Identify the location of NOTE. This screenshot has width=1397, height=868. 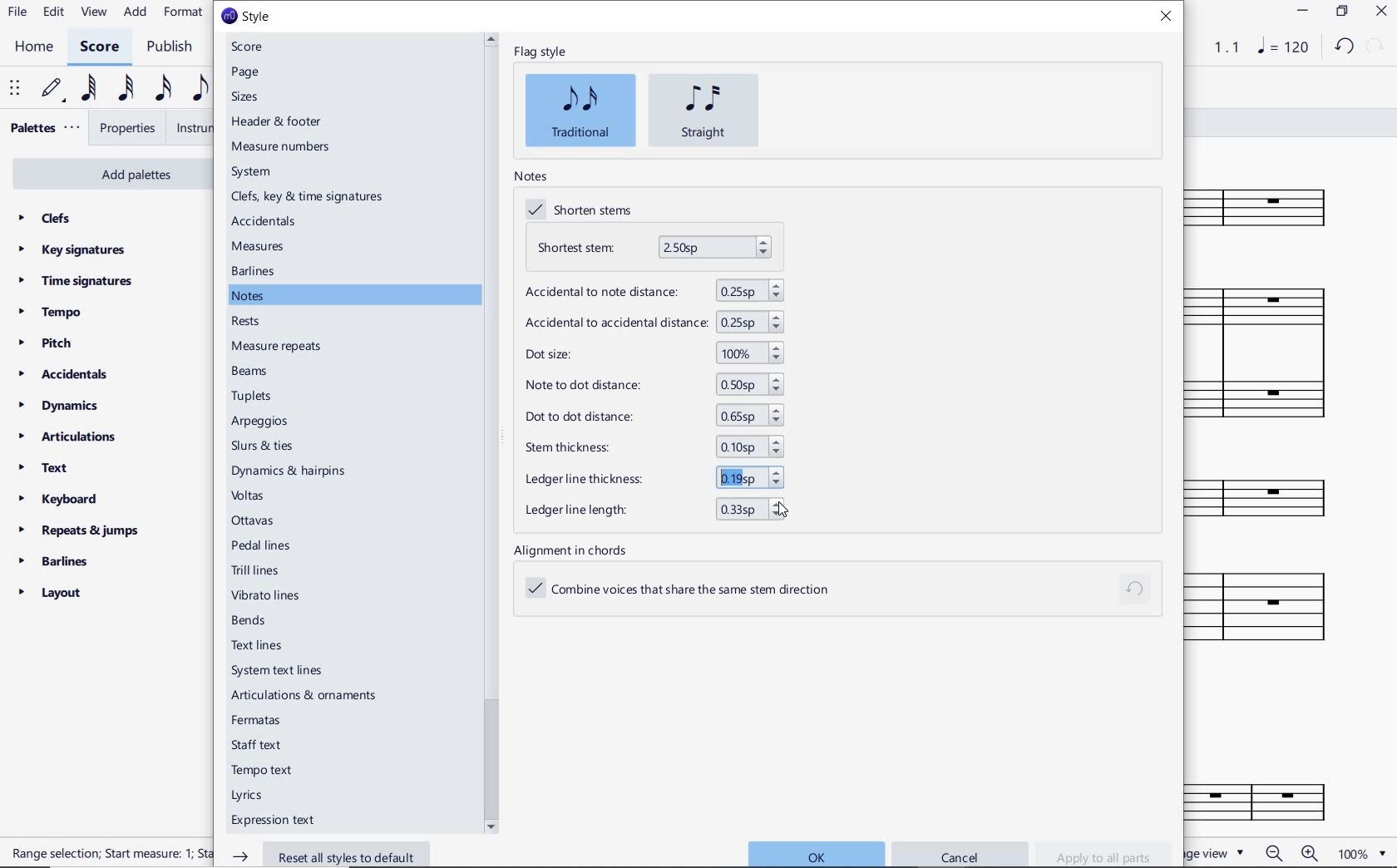
(1284, 46).